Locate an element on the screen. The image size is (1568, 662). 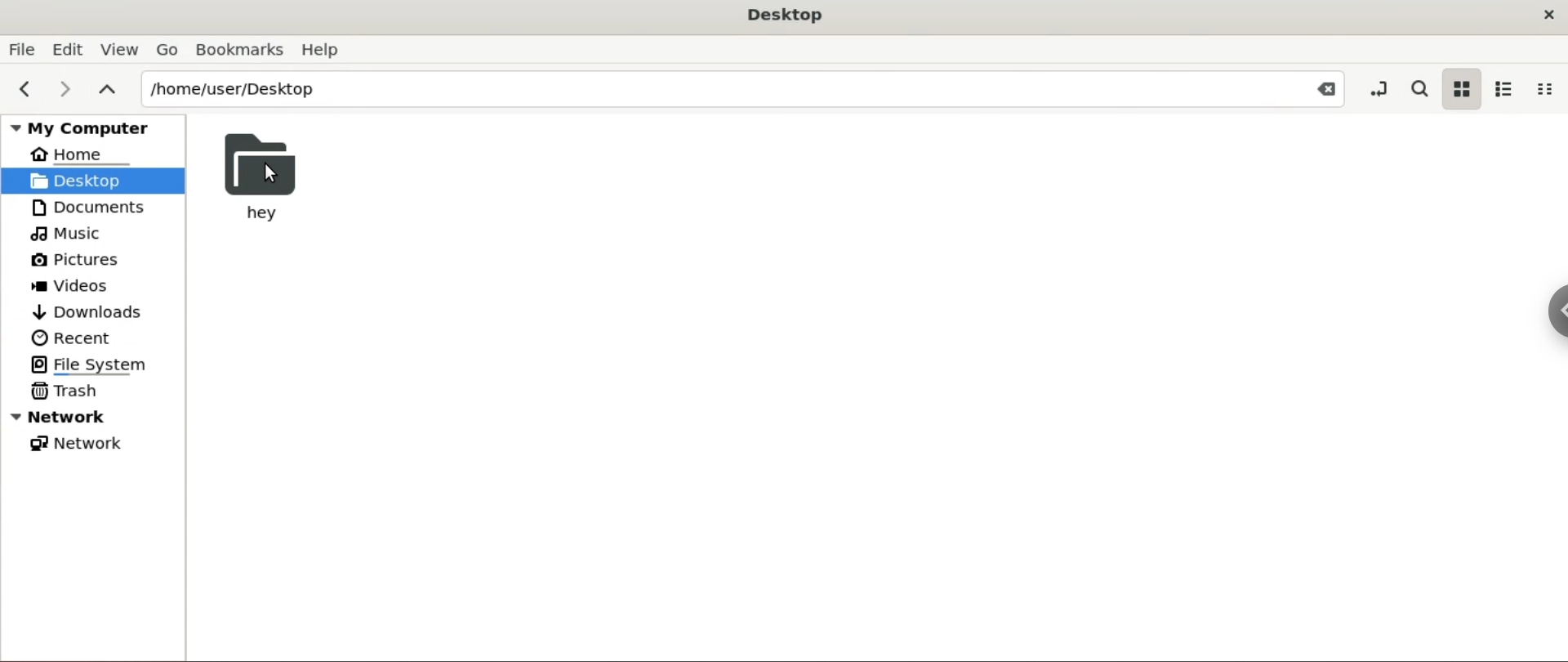
File System is located at coordinates (94, 363).